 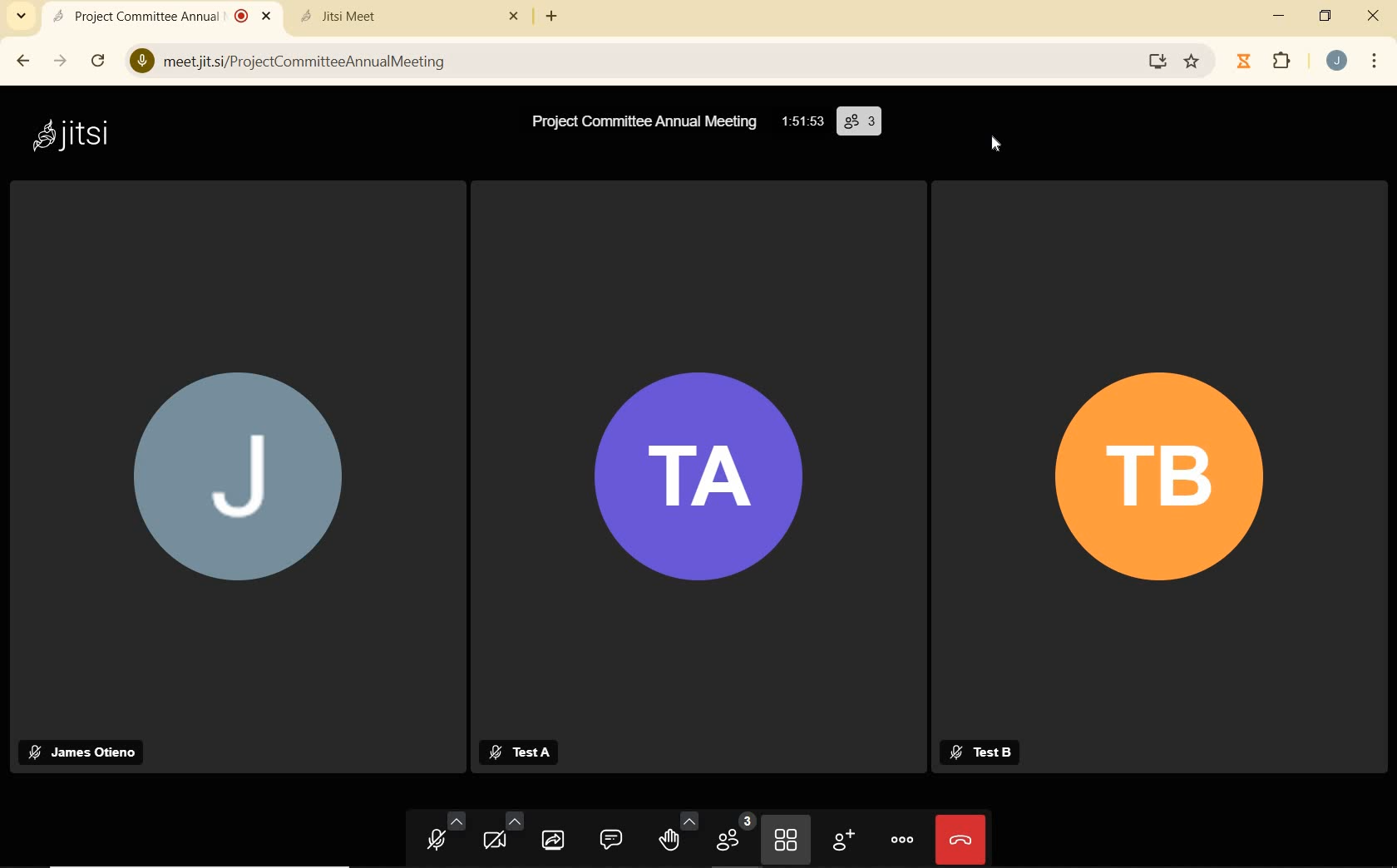 I want to click on raise hand, so click(x=674, y=835).